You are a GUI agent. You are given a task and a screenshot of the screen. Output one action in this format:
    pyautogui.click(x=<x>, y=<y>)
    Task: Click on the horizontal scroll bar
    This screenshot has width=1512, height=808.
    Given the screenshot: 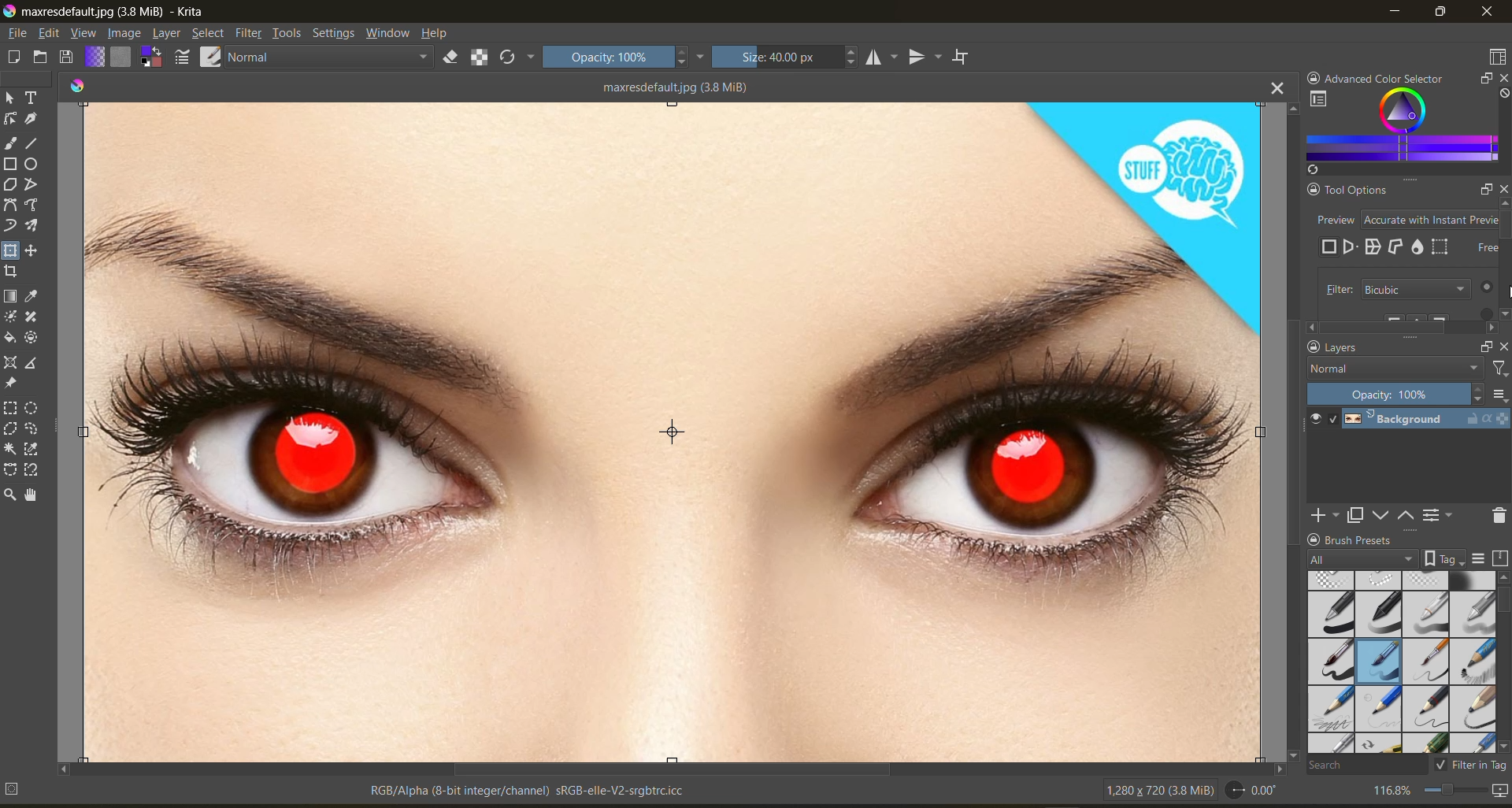 What is the action you would take?
    pyautogui.click(x=671, y=766)
    